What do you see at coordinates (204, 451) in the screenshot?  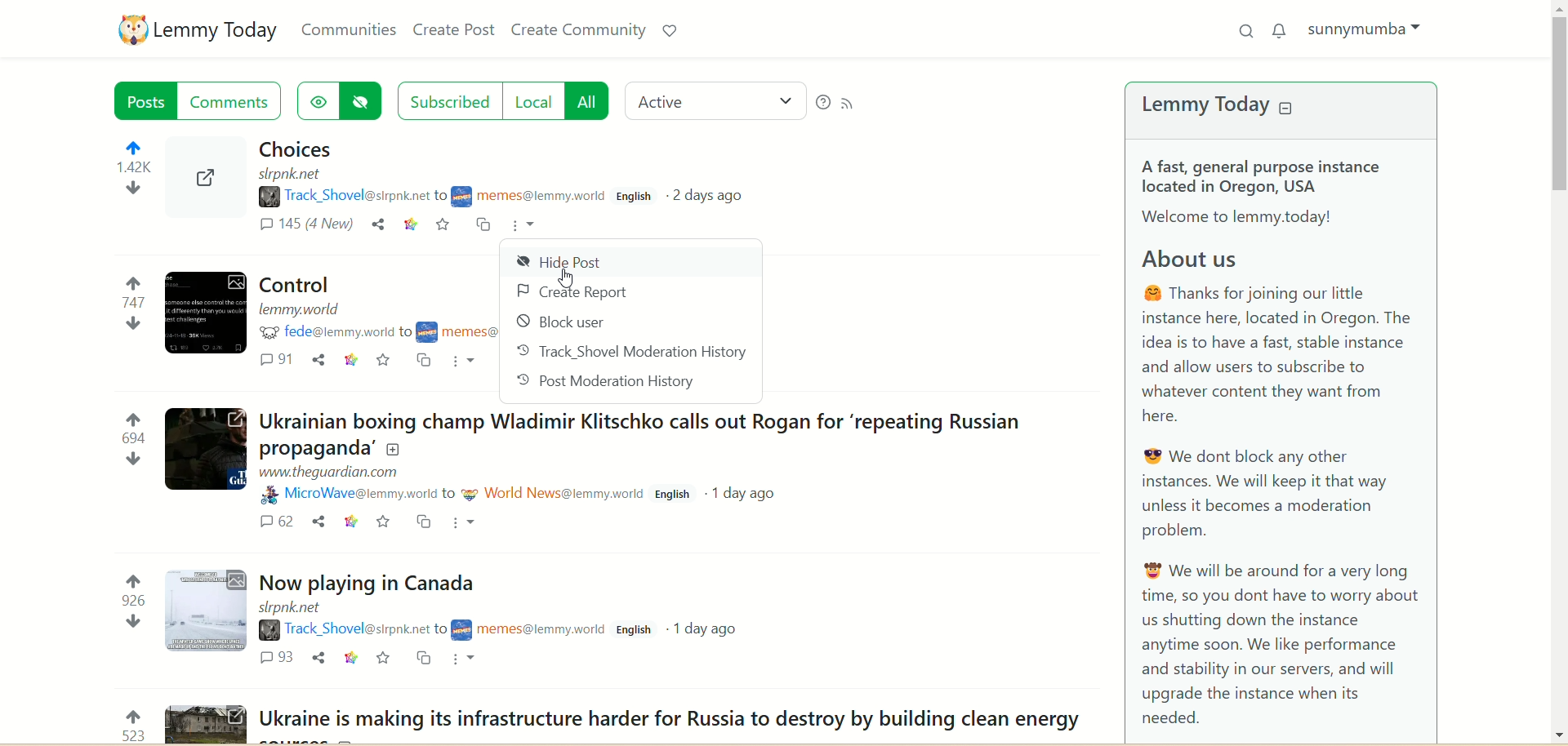 I see `Expand the post with image details` at bounding box center [204, 451].